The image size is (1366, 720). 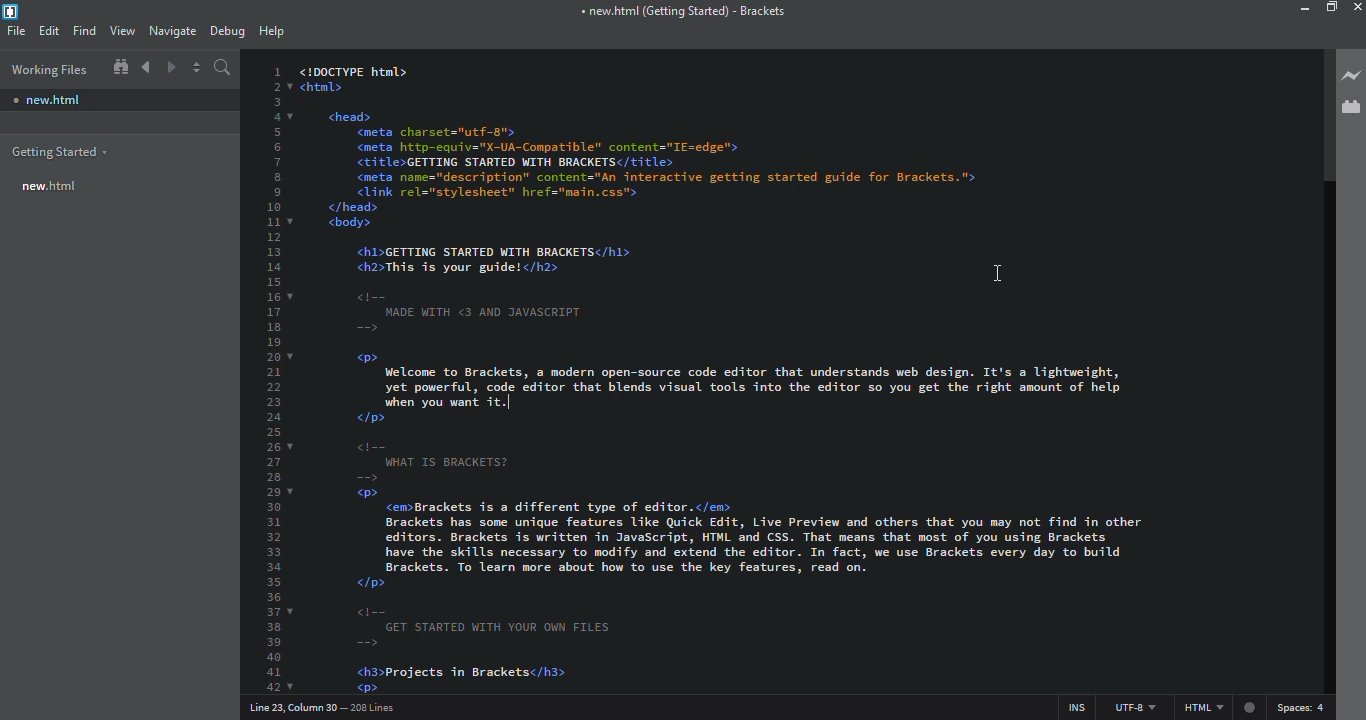 What do you see at coordinates (783, 557) in the screenshot?
I see `test code` at bounding box center [783, 557].